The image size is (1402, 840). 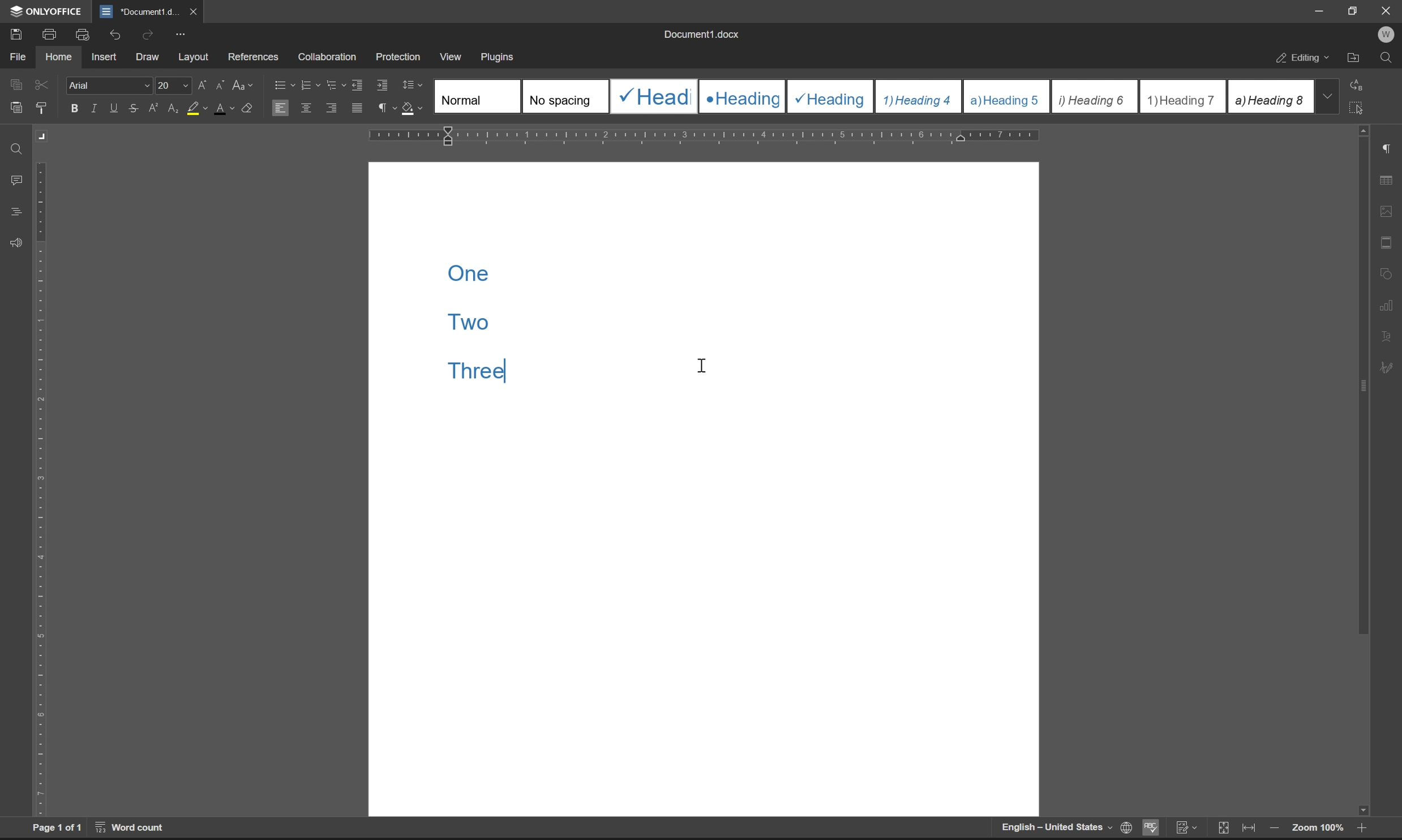 I want to click on Heading 5, so click(x=1007, y=96).